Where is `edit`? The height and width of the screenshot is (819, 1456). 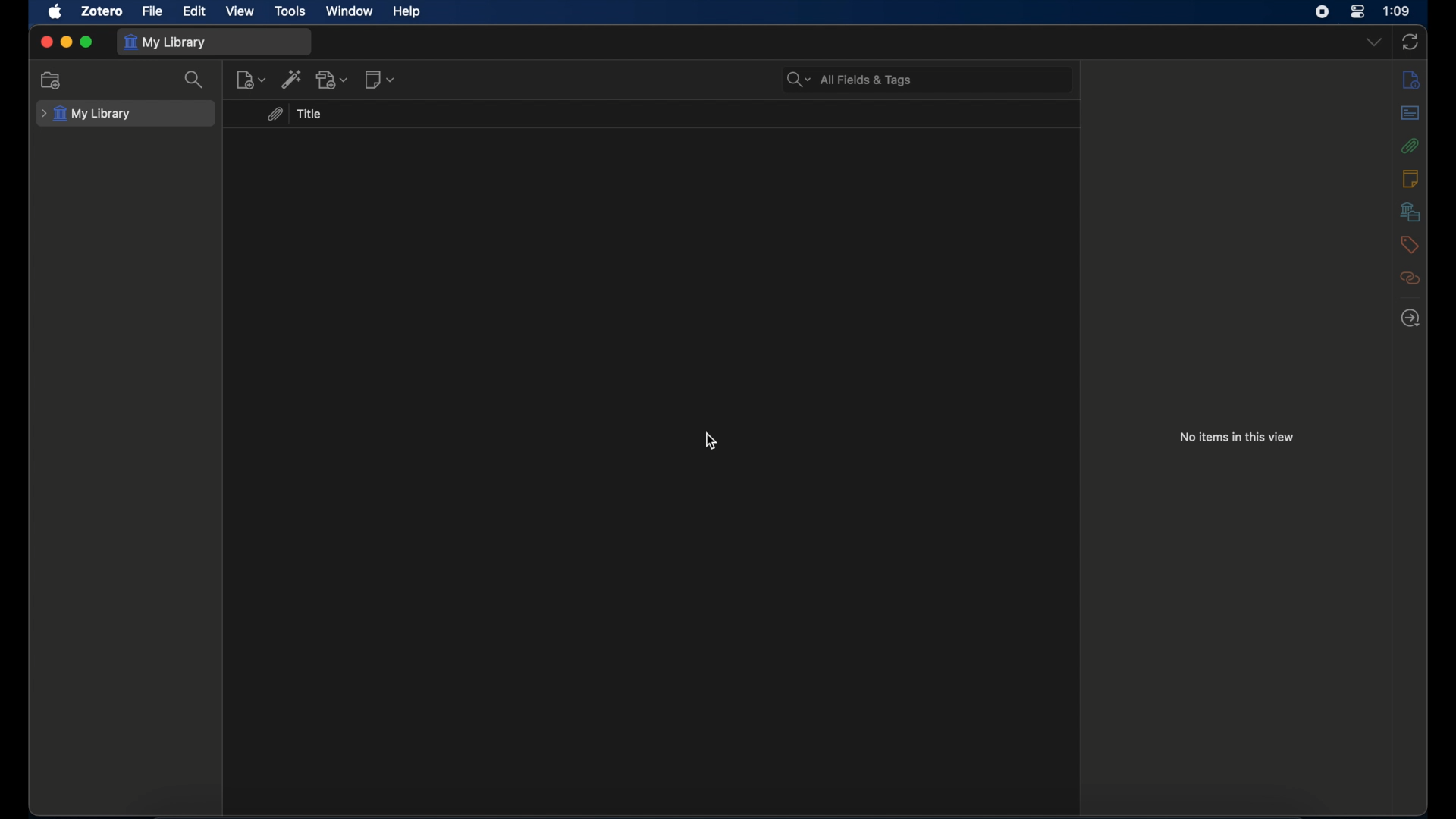 edit is located at coordinates (196, 11).